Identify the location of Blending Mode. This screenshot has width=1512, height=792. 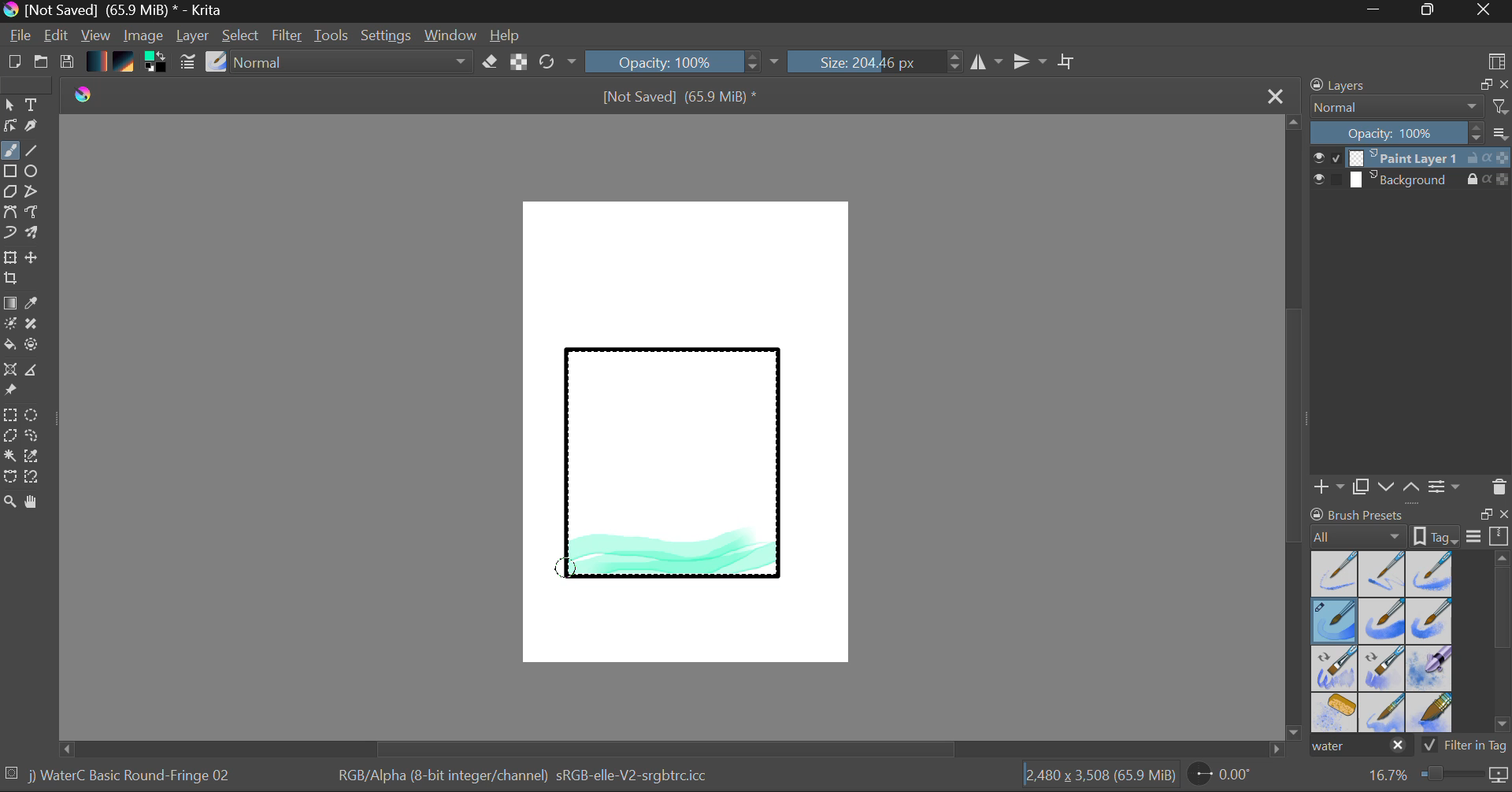
(1410, 107).